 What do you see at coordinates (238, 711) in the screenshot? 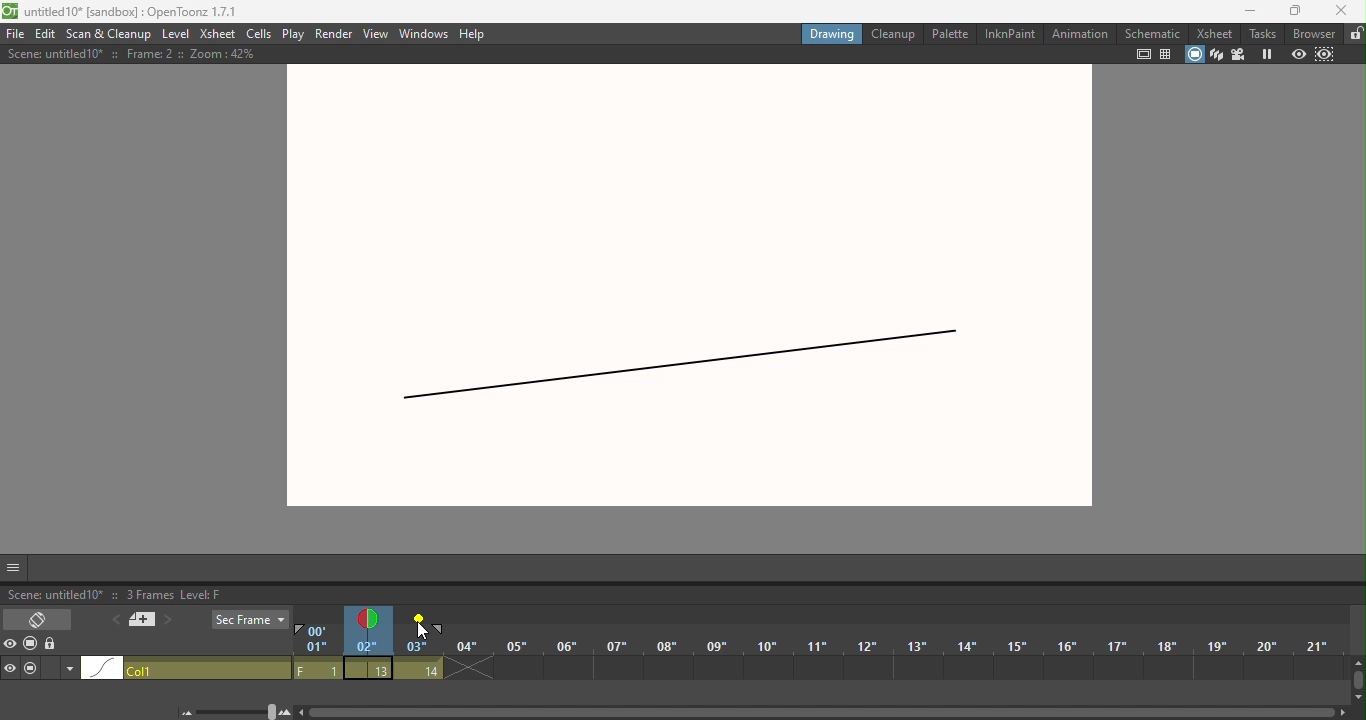
I see `Zoom in/out of timeline` at bounding box center [238, 711].